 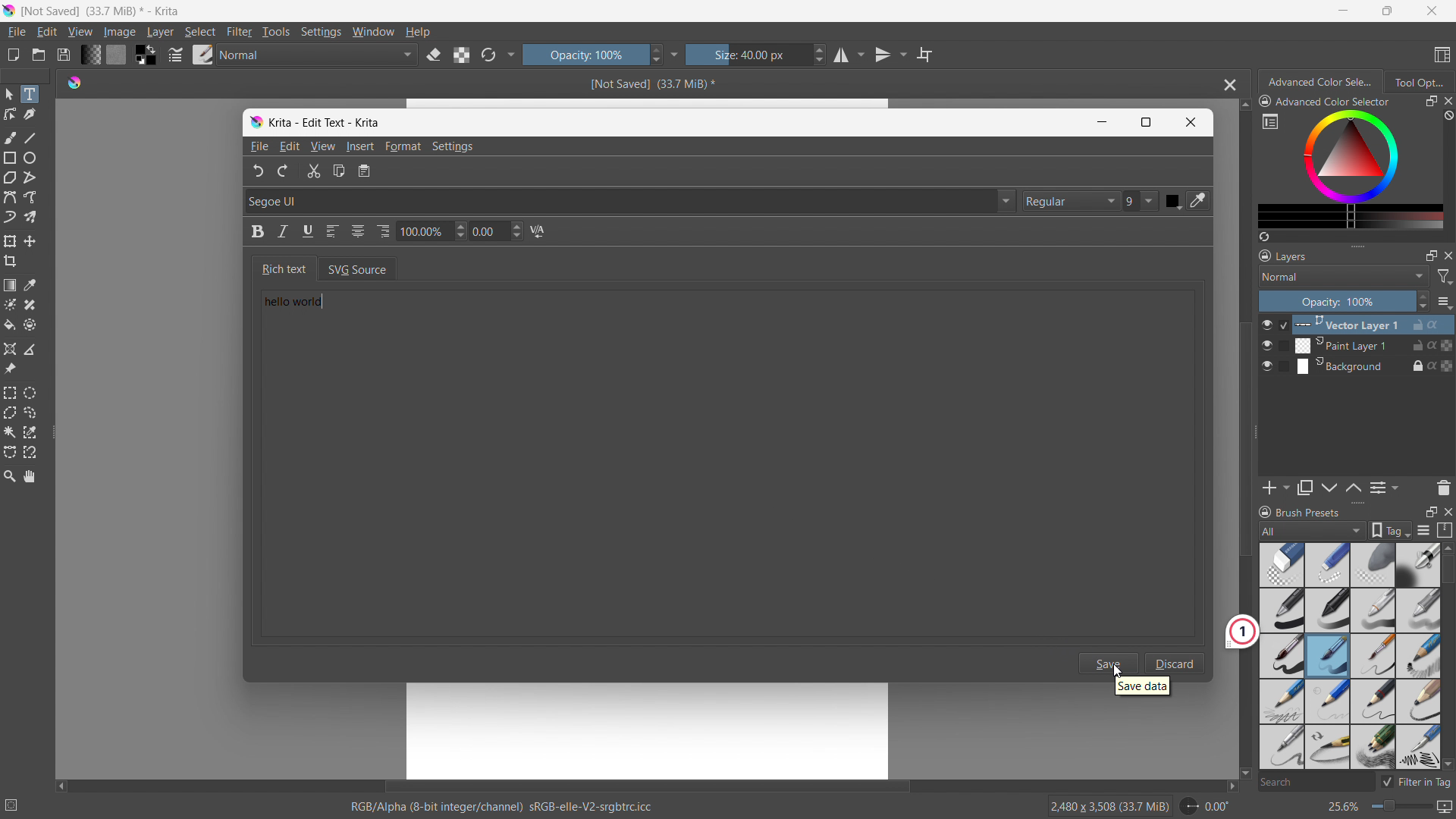 I want to click on sketch pencil, so click(x=1417, y=657).